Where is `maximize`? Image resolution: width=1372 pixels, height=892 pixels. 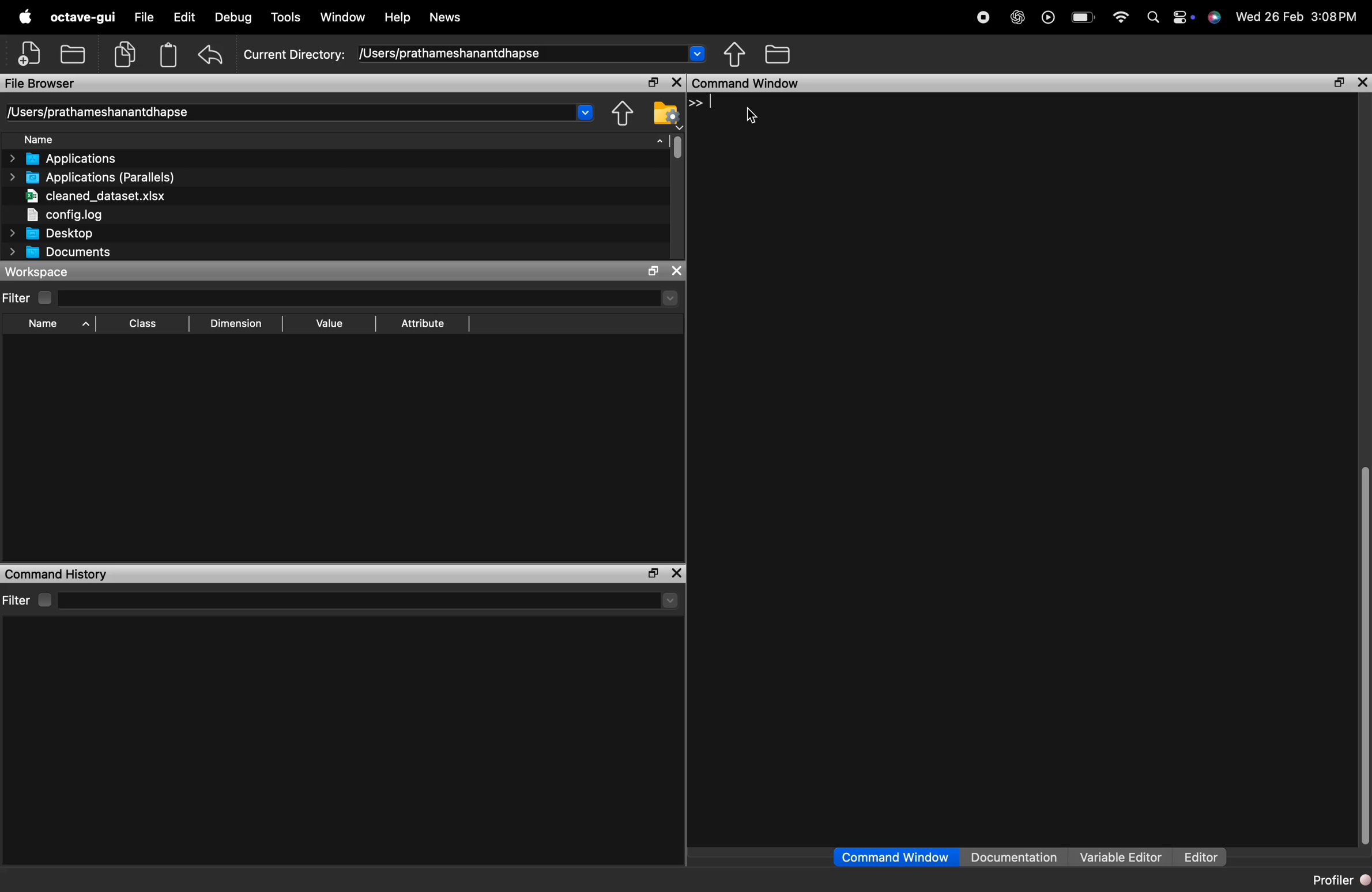 maximize is located at coordinates (652, 83).